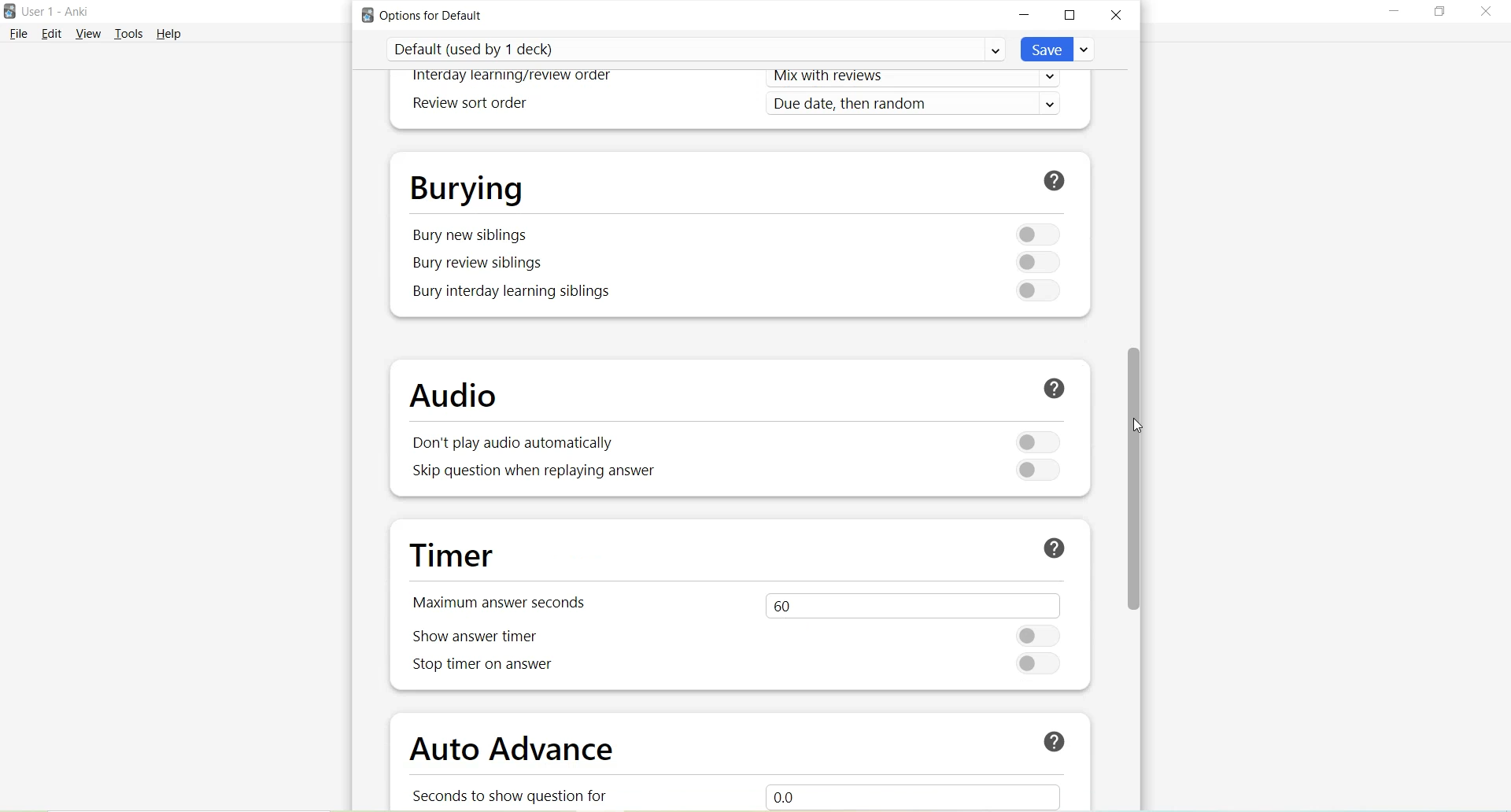  Describe the element at coordinates (18, 33) in the screenshot. I see `File` at that location.